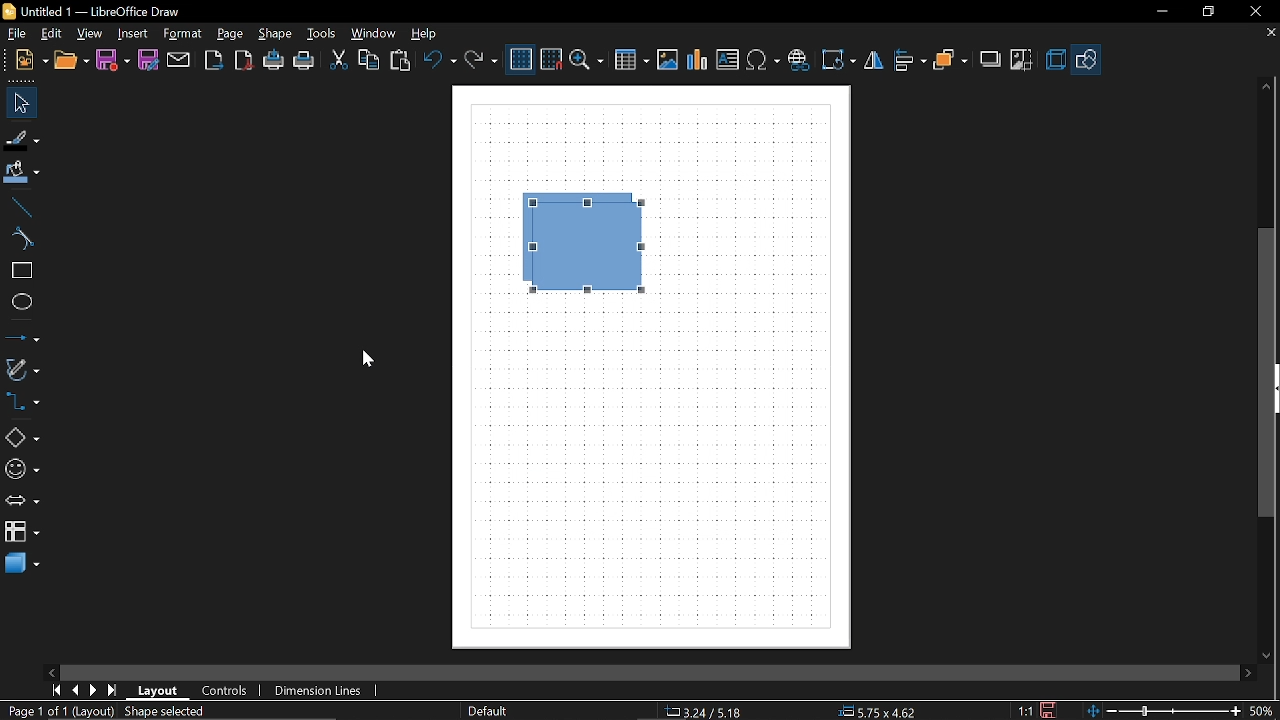 Image resolution: width=1280 pixels, height=720 pixels. What do you see at coordinates (21, 565) in the screenshot?
I see `3d shapes` at bounding box center [21, 565].